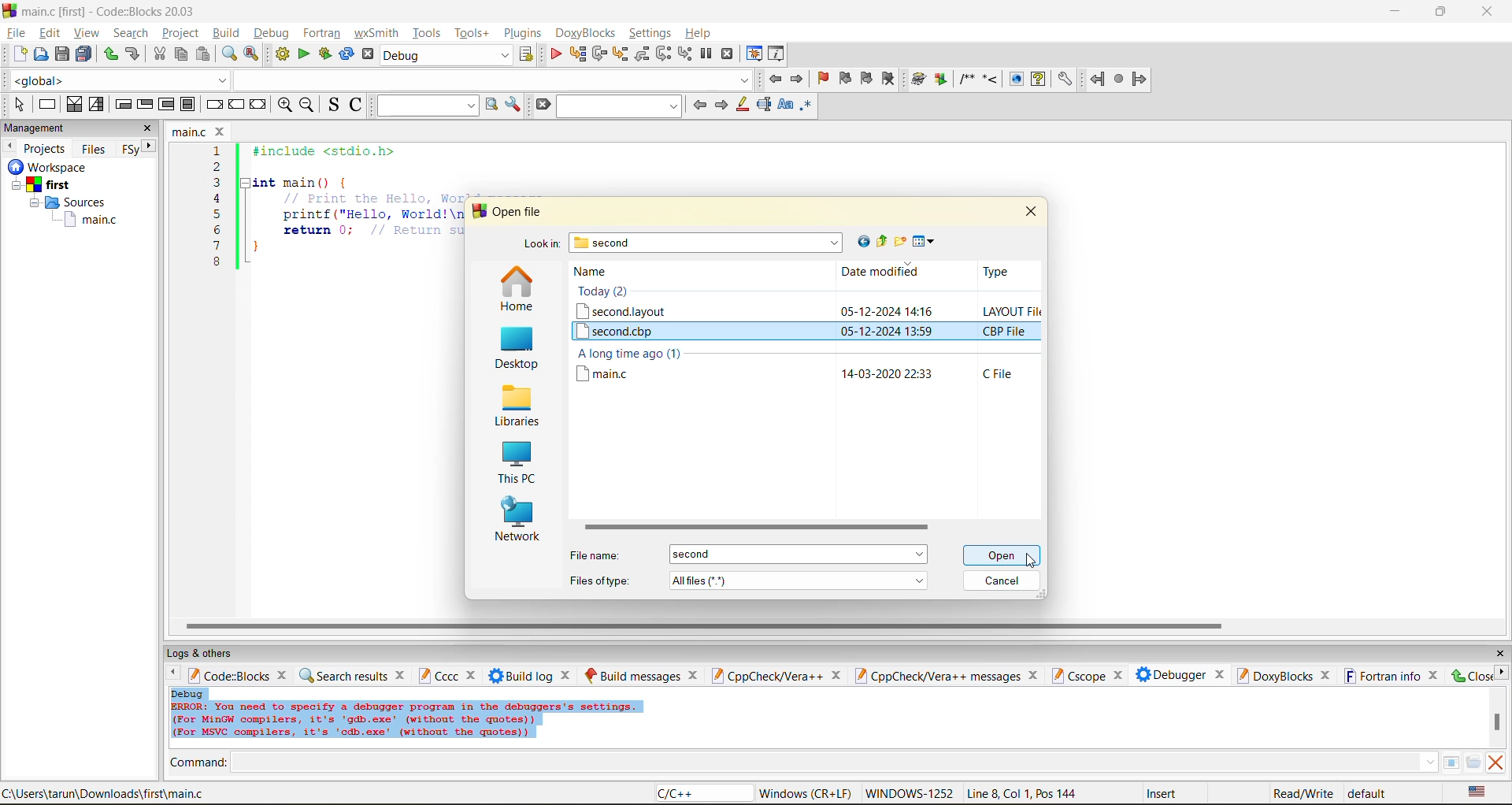 This screenshot has width=1512, height=805. What do you see at coordinates (625, 331) in the screenshot?
I see `second.cbp file` at bounding box center [625, 331].